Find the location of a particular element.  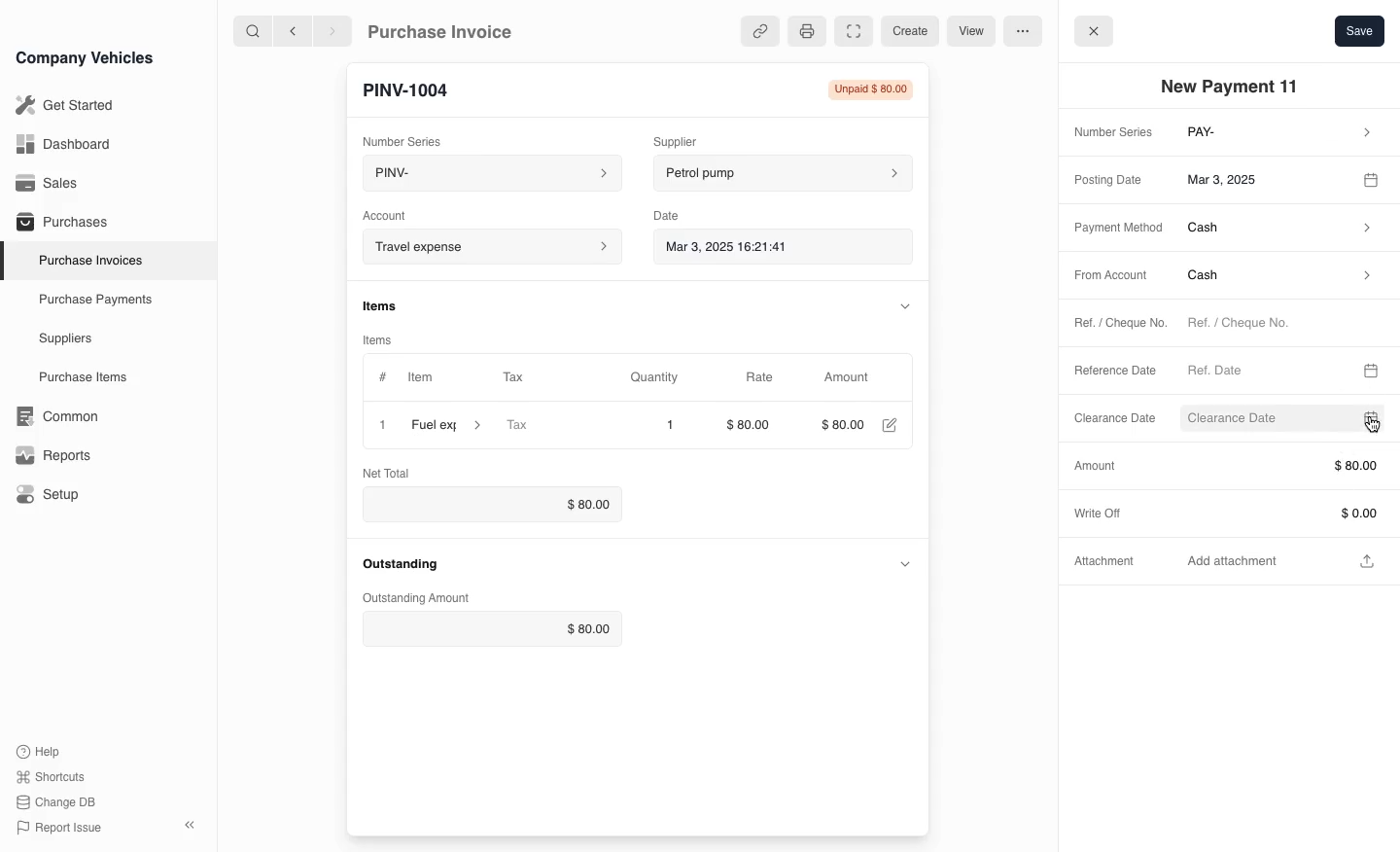

options is located at coordinates (1022, 30).